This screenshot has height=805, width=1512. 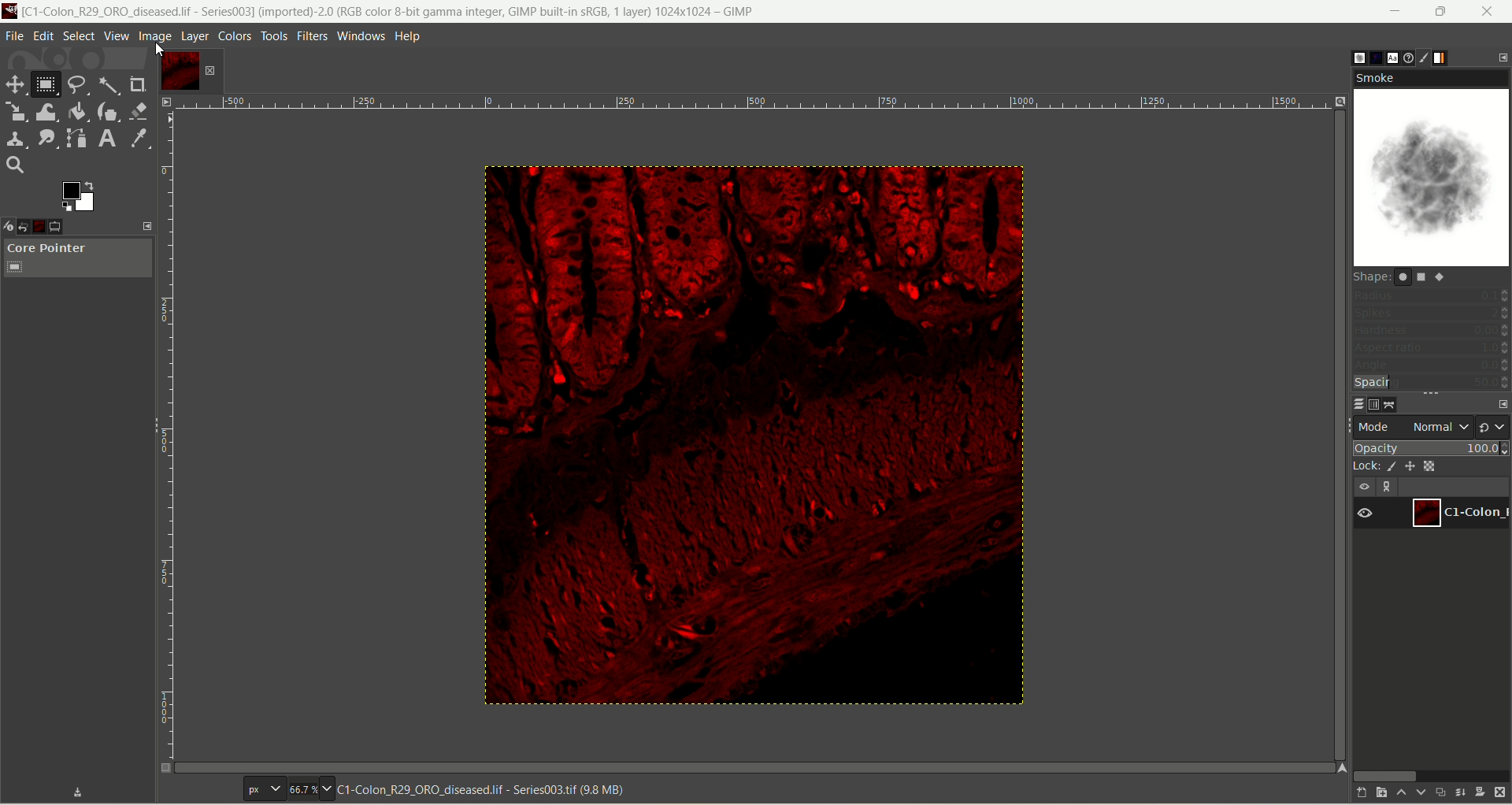 What do you see at coordinates (1432, 365) in the screenshot?
I see `angle` at bounding box center [1432, 365].